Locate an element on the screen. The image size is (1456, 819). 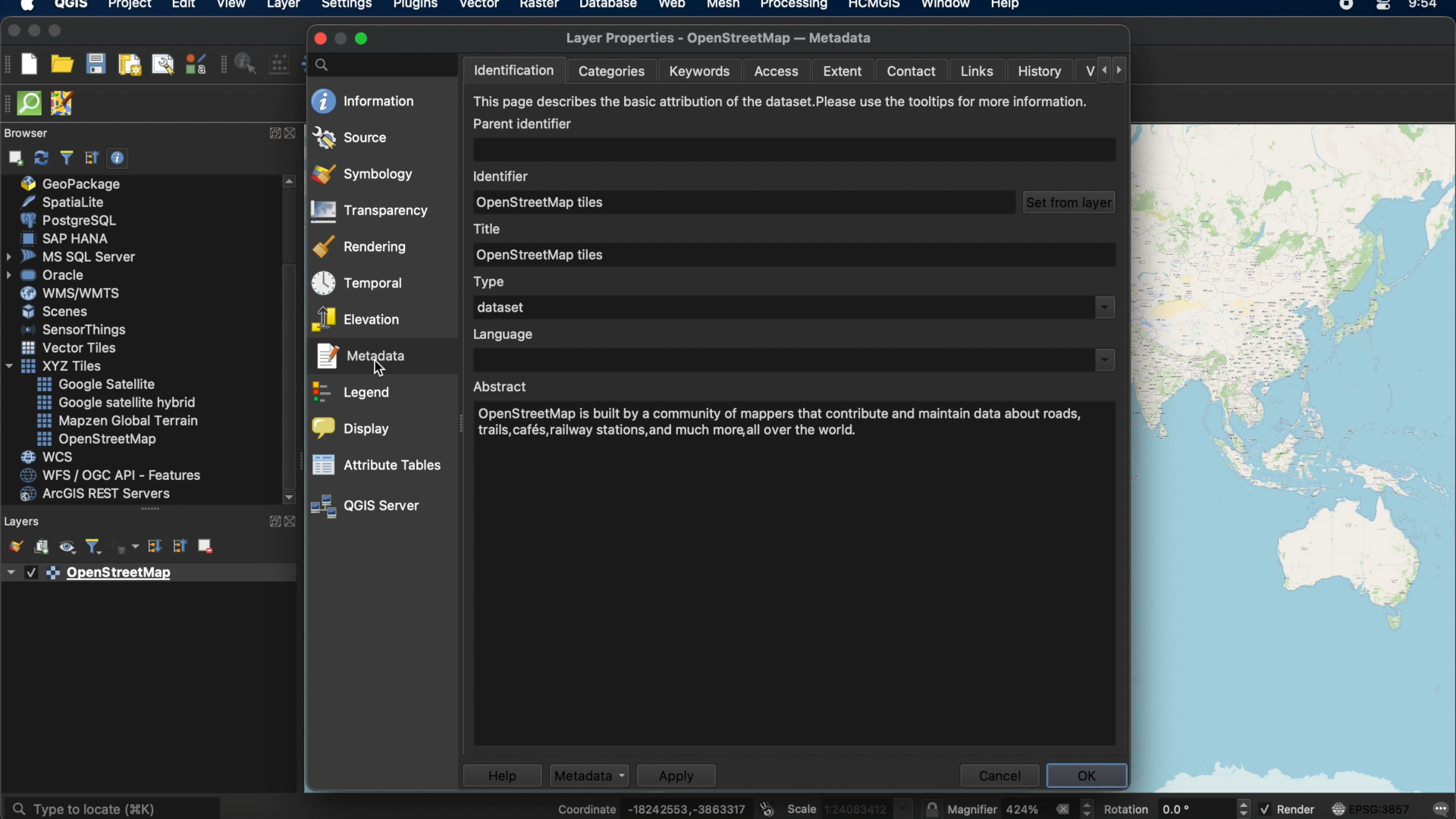
hidden toolbar is located at coordinates (9, 104).